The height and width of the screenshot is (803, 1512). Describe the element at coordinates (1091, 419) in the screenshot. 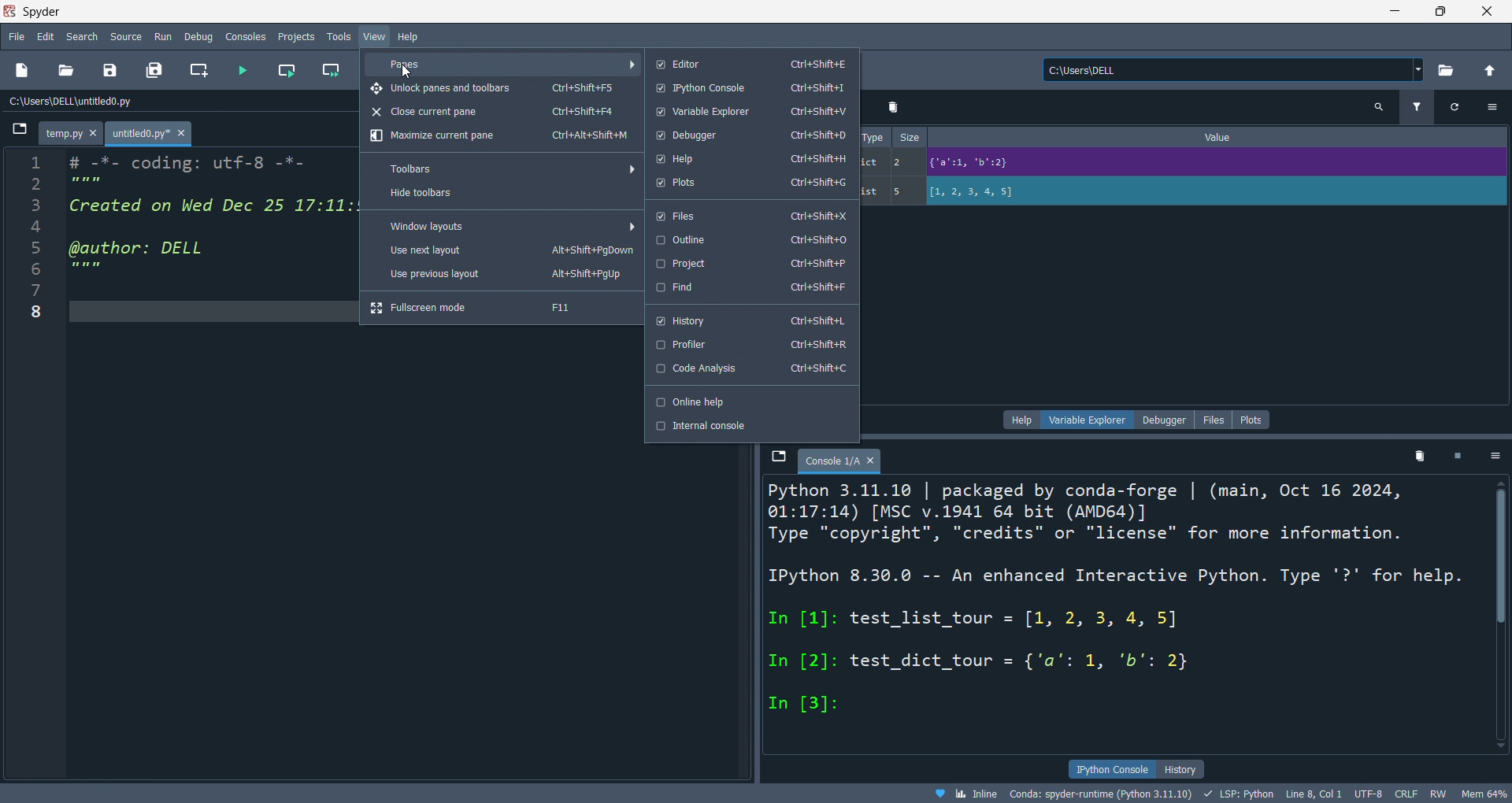

I see `variable explorer` at that location.